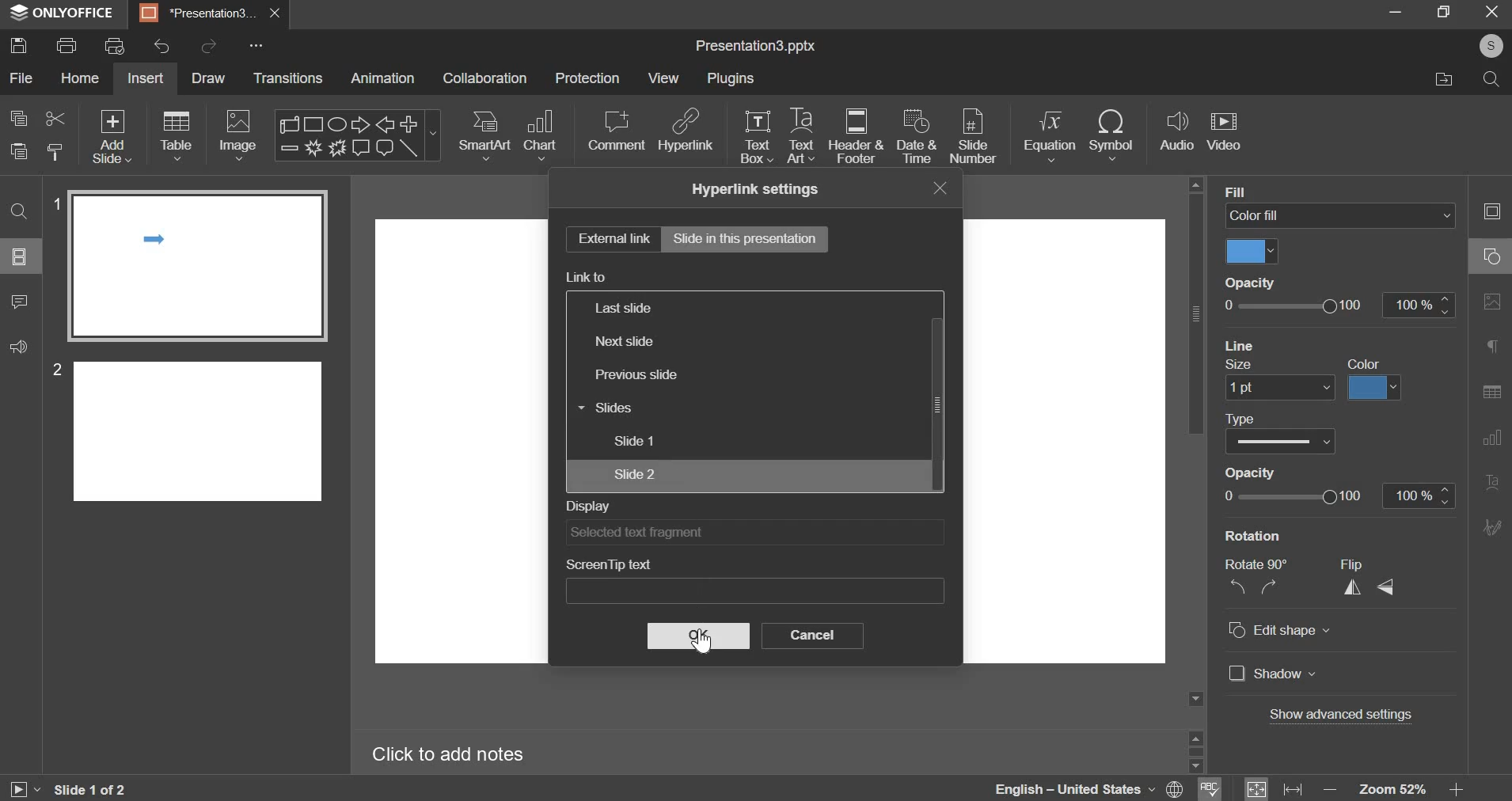 The height and width of the screenshot is (801, 1512). Describe the element at coordinates (588, 507) in the screenshot. I see `display` at that location.